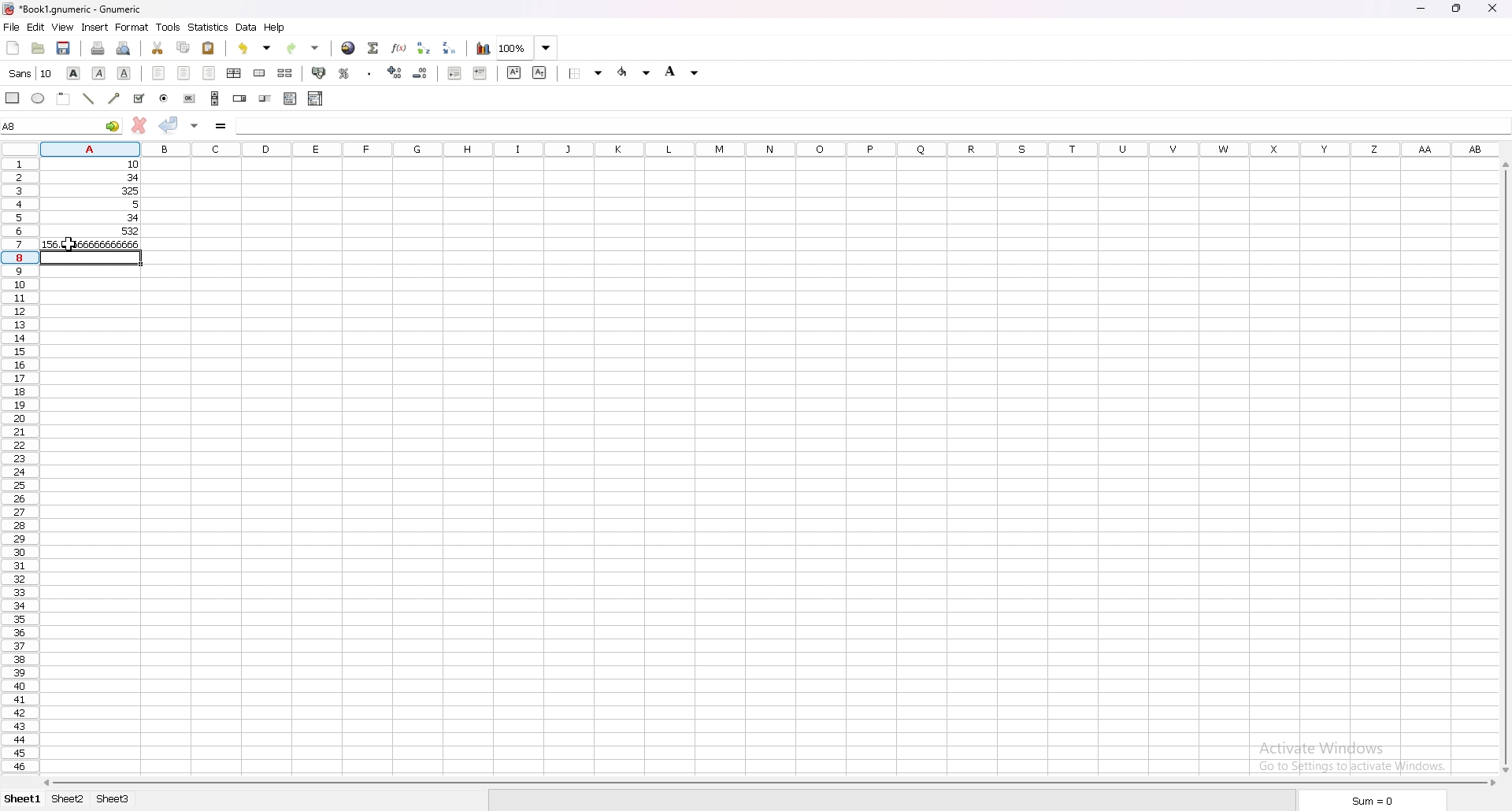 This screenshot has height=811, width=1512. Describe the element at coordinates (35, 28) in the screenshot. I see `edit` at that location.